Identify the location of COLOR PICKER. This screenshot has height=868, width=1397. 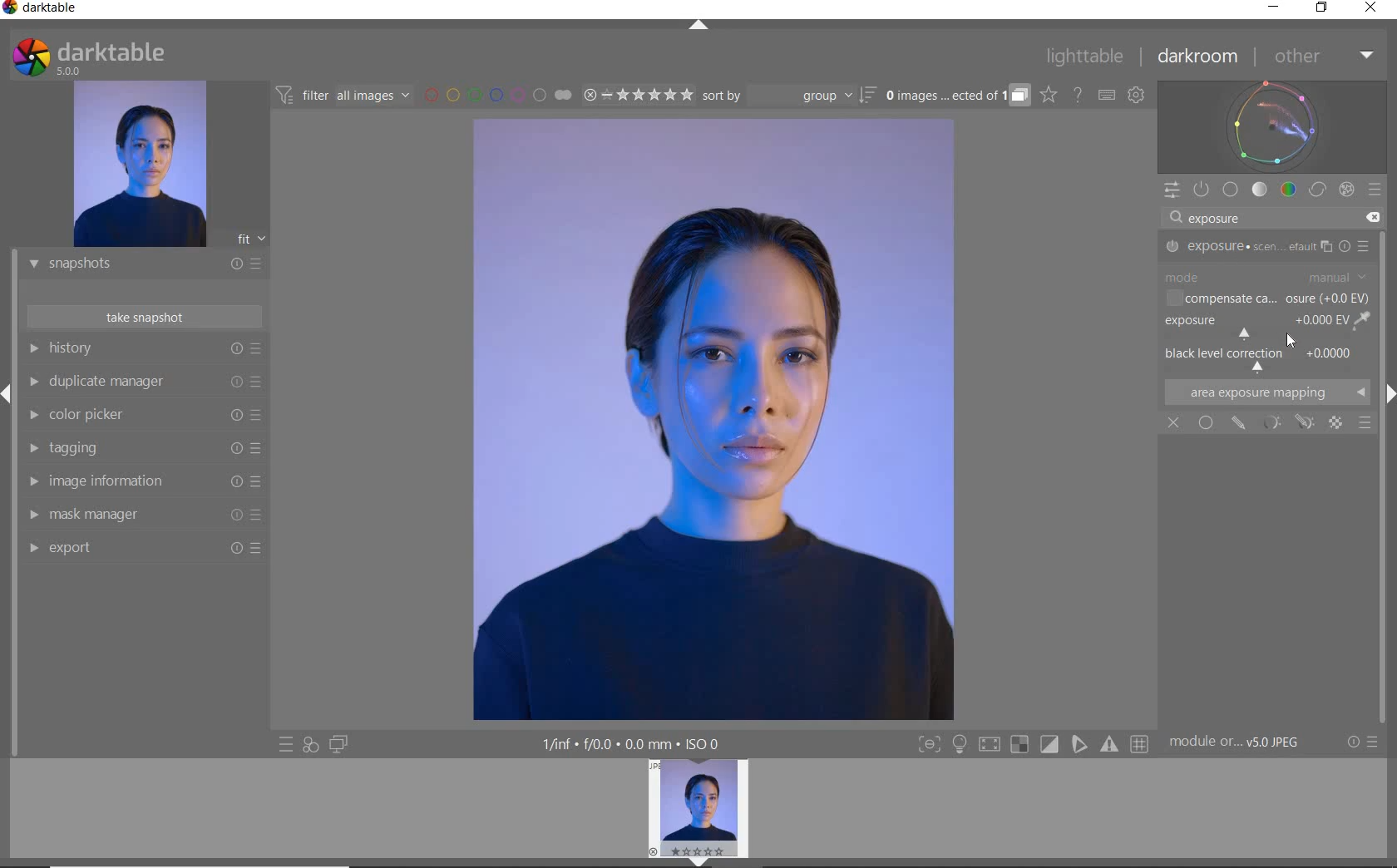
(141, 416).